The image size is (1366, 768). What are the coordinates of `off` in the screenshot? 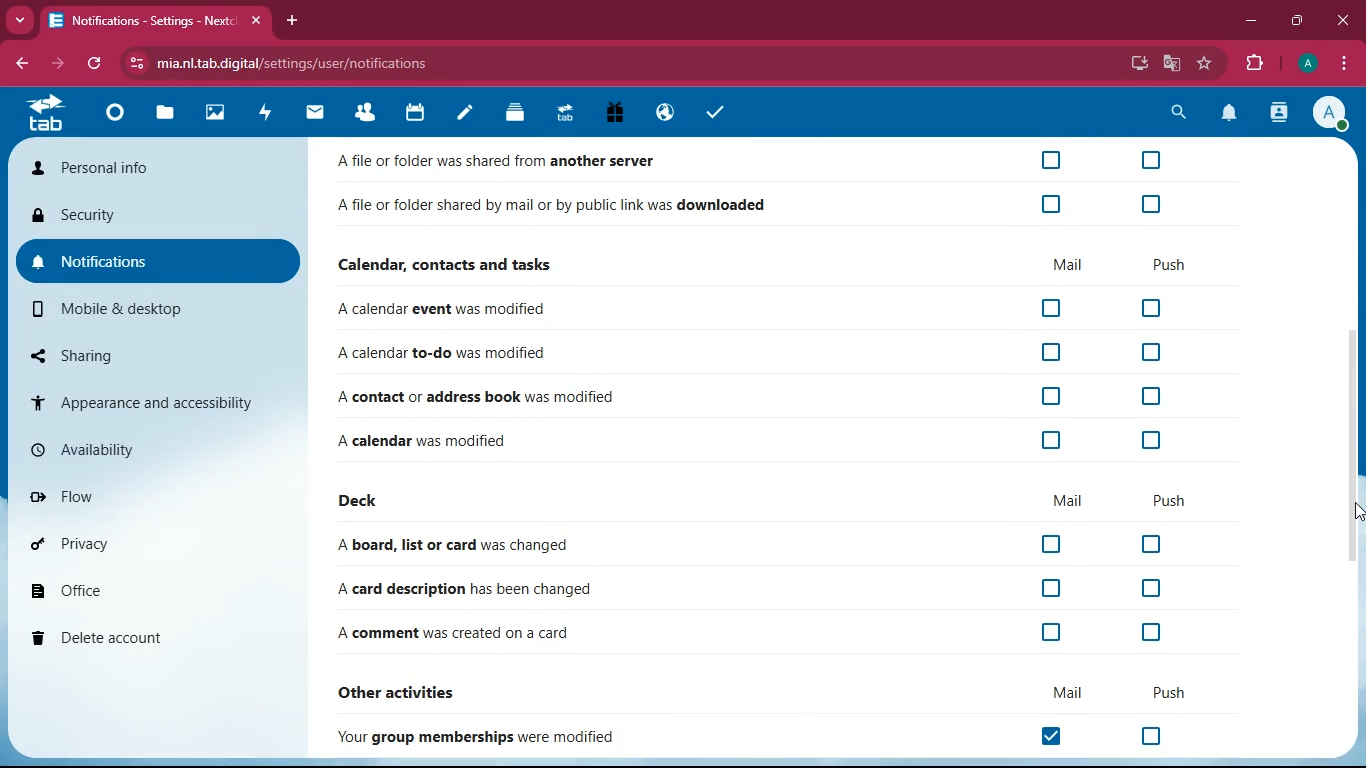 It's located at (1151, 397).